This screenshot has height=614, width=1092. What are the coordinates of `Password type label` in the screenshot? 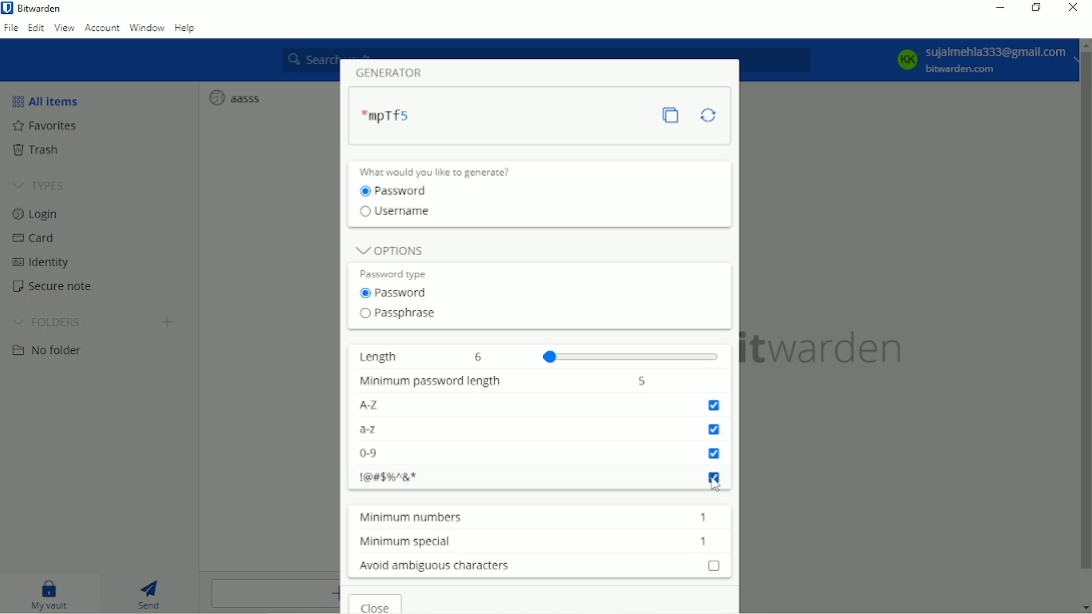 It's located at (397, 273).